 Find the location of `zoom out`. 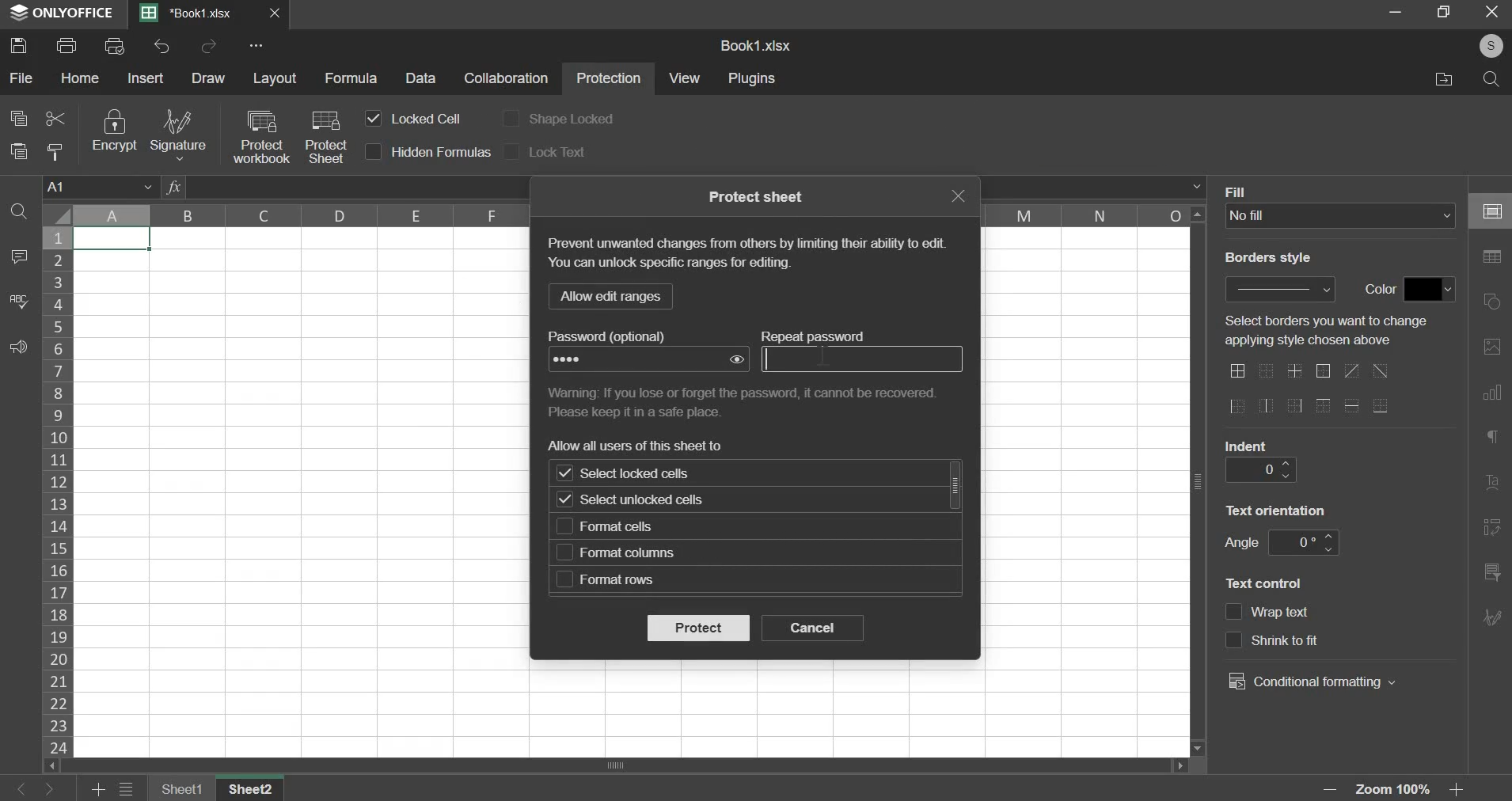

zoom out is located at coordinates (1333, 789).